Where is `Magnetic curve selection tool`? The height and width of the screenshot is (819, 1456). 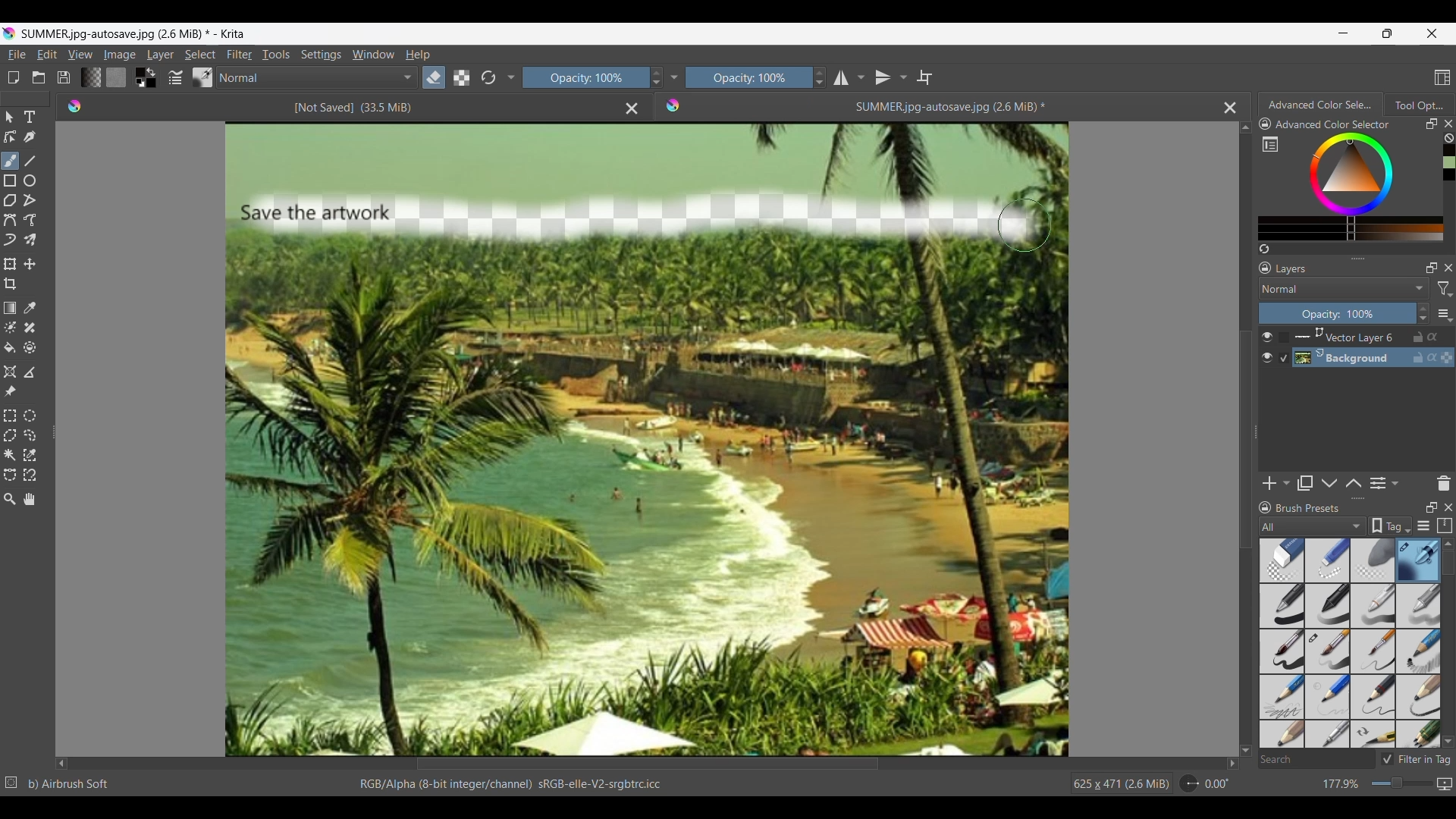
Magnetic curve selection tool is located at coordinates (30, 475).